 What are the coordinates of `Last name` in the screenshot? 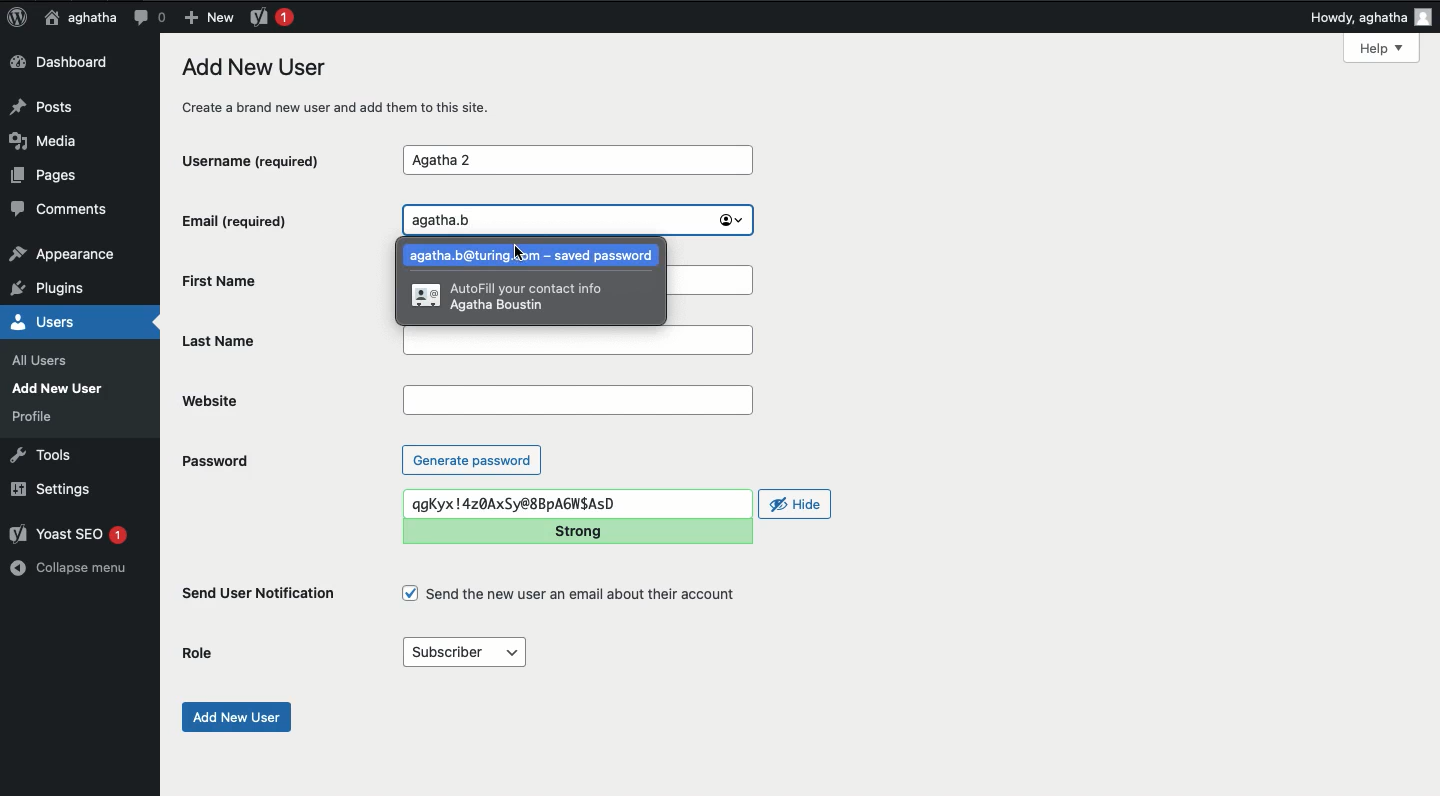 It's located at (578, 341).